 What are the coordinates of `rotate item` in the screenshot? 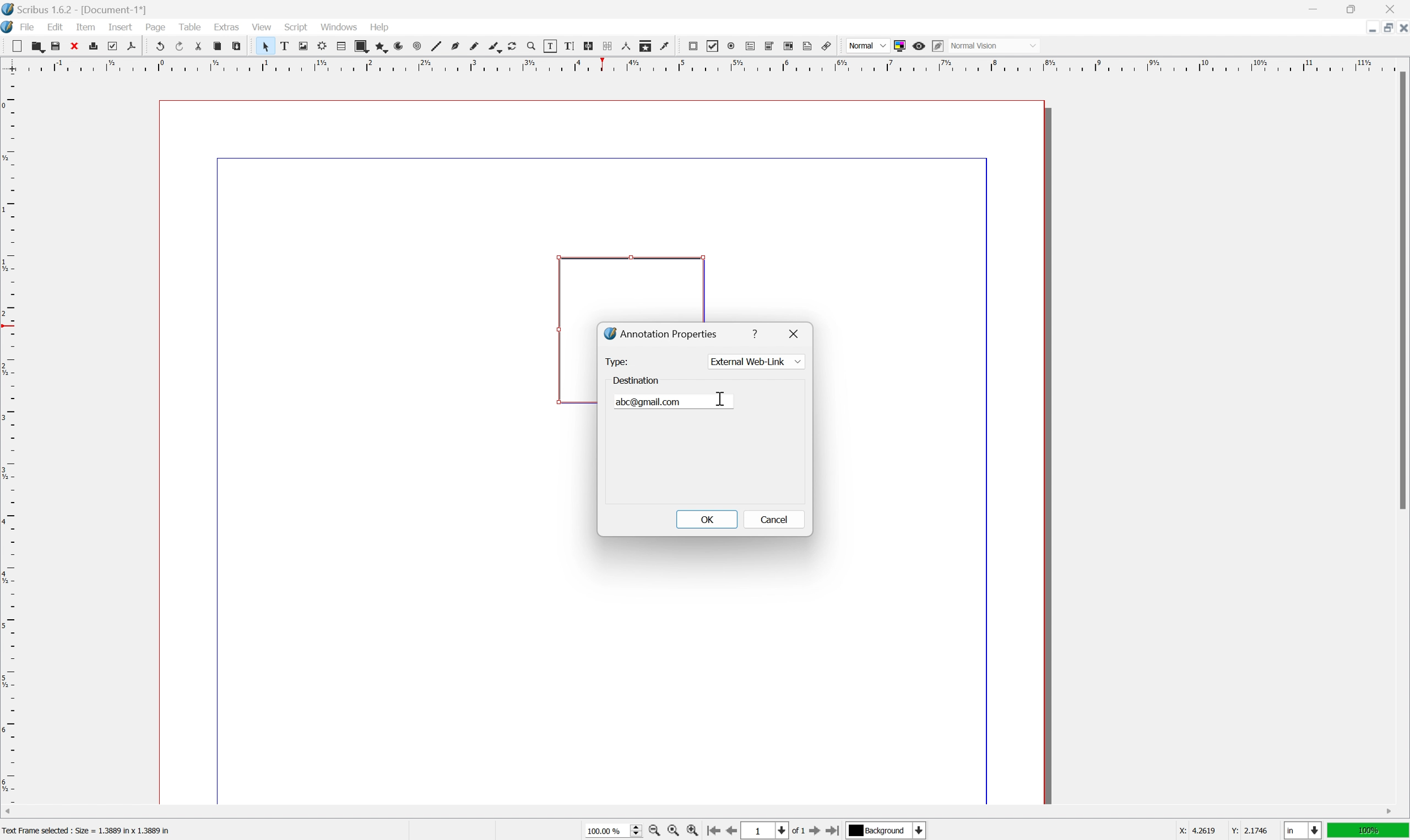 It's located at (513, 46).